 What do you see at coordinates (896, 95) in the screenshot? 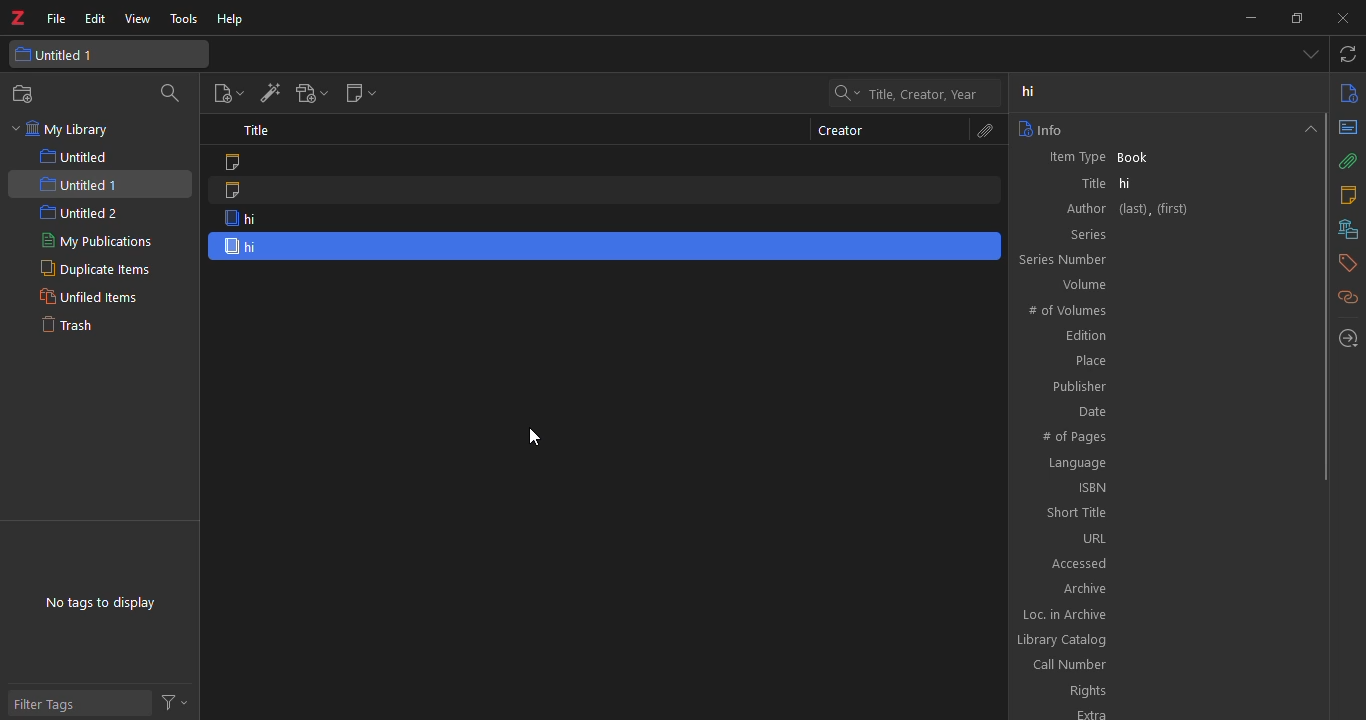
I see `search` at bounding box center [896, 95].